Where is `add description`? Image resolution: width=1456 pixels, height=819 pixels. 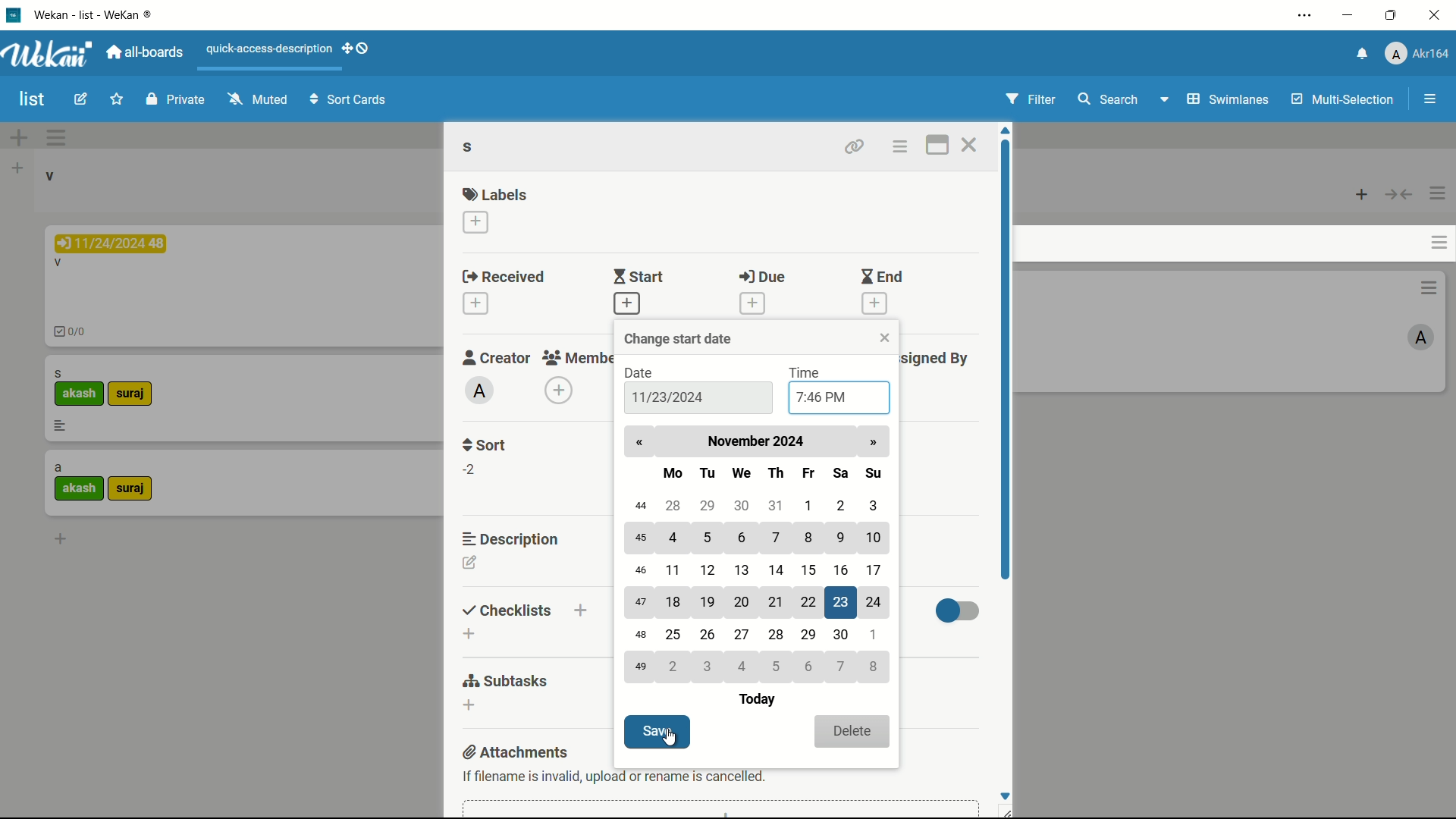
add description is located at coordinates (469, 563).